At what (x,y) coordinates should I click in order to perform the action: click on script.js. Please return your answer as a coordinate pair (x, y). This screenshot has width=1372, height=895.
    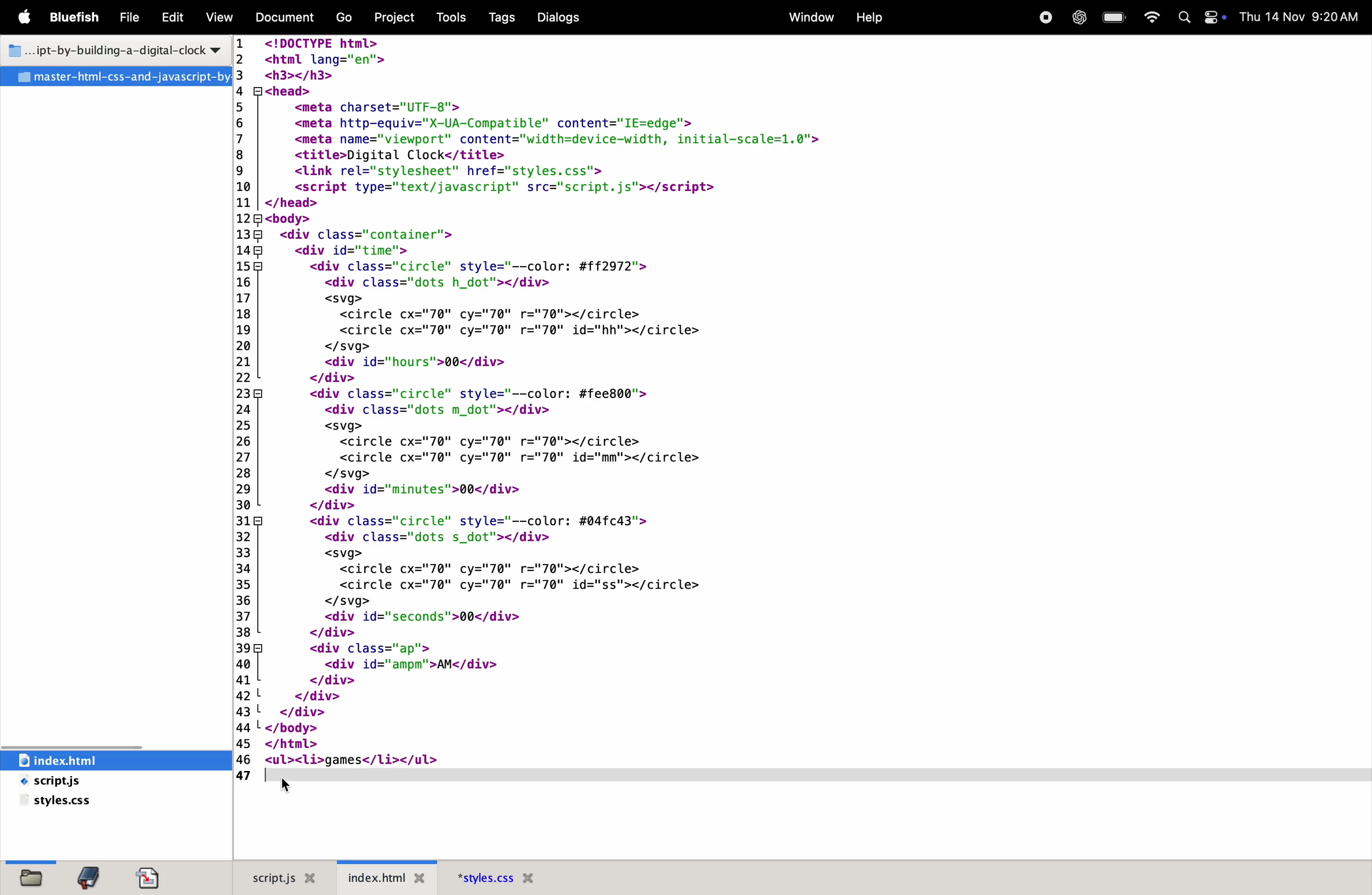
    Looking at the image, I should click on (80, 782).